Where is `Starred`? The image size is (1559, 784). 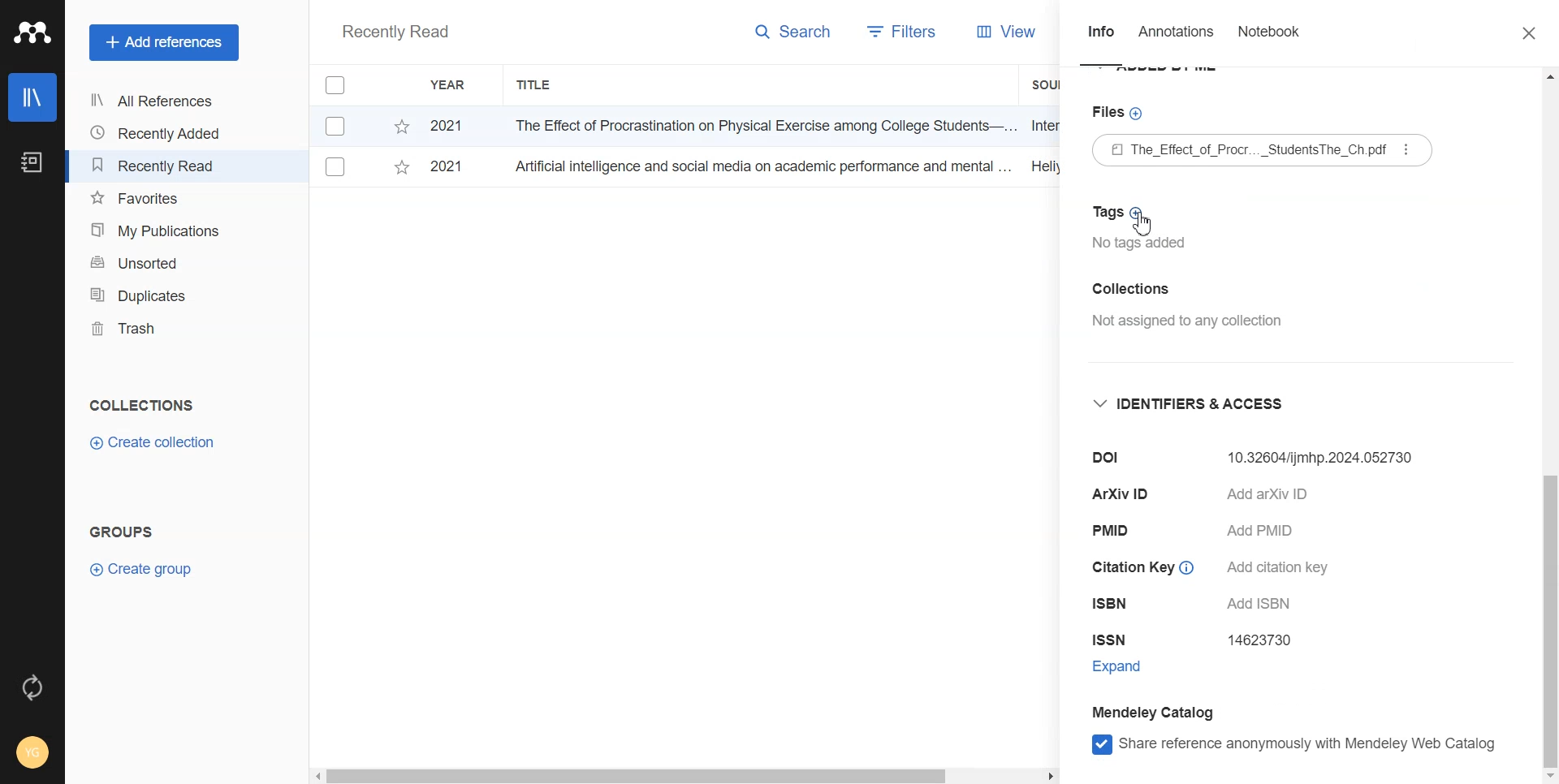
Starred is located at coordinates (401, 127).